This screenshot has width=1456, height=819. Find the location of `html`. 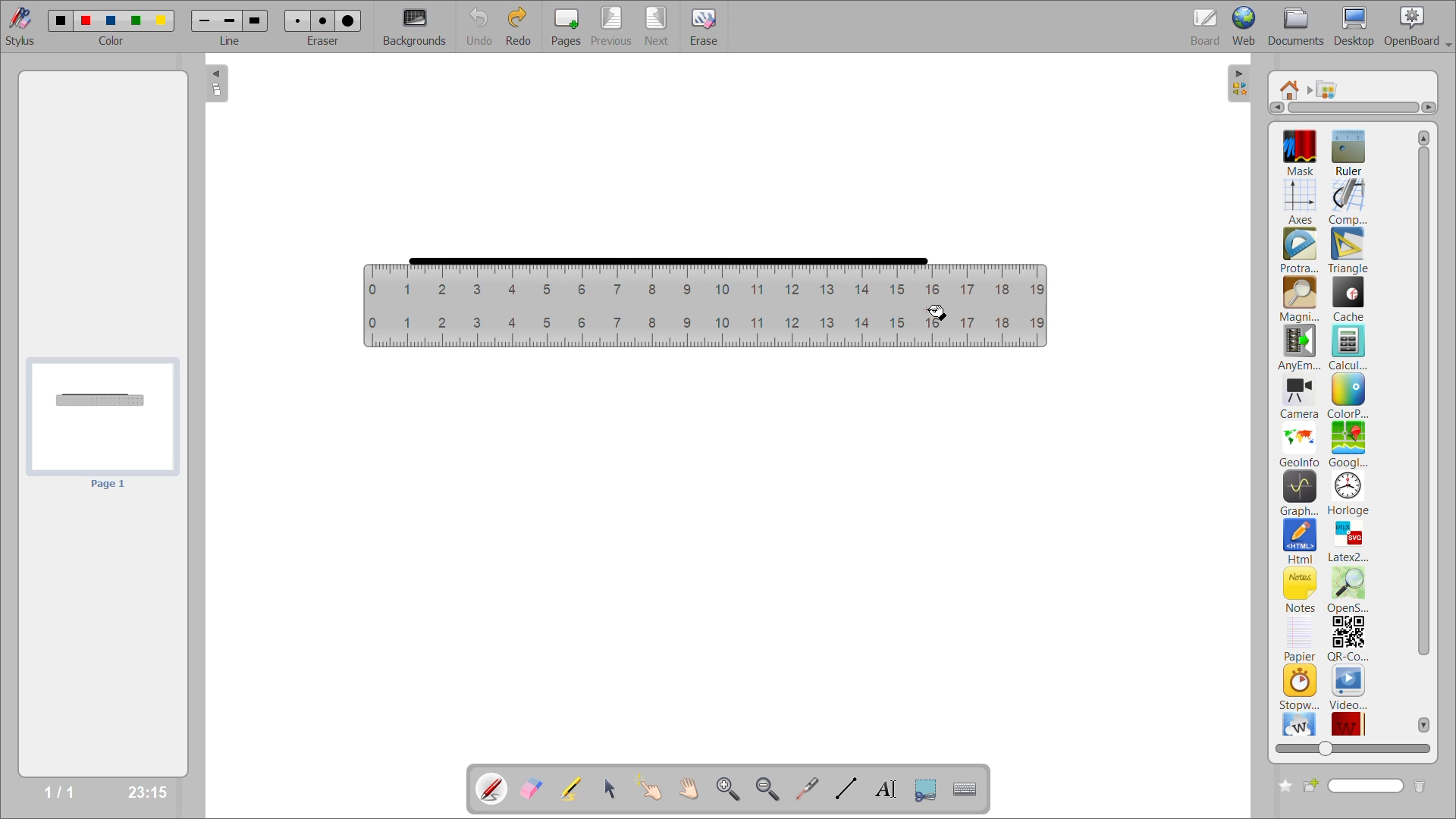

html is located at coordinates (1301, 542).